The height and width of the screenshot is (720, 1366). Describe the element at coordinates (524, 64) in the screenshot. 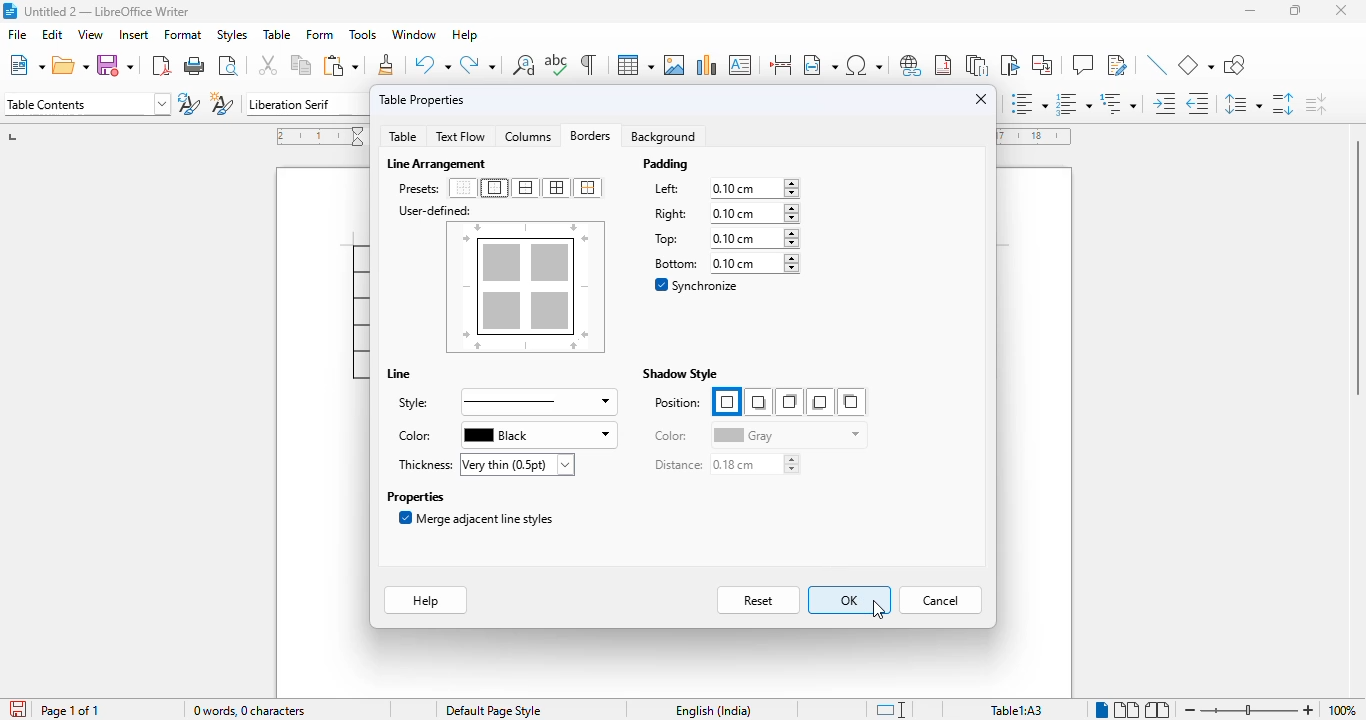

I see `find and replace` at that location.